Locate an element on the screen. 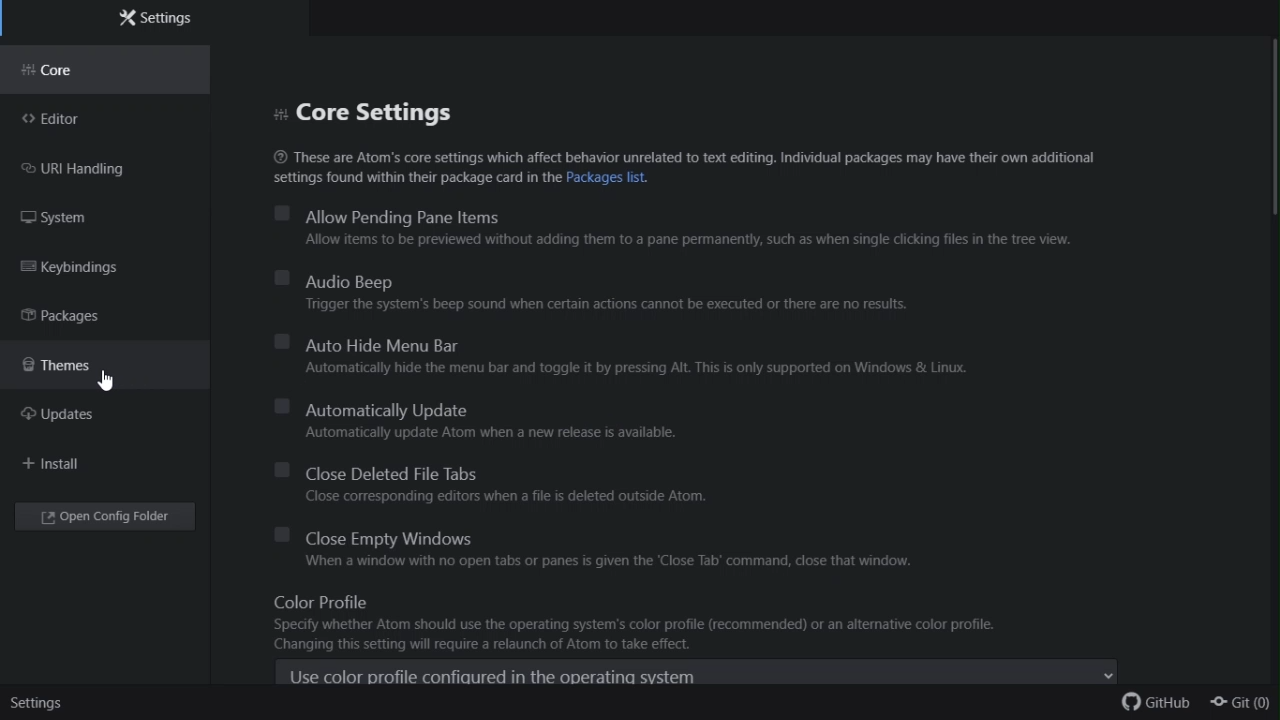 This screenshot has width=1280, height=720. Automatically hate the menu bar and toggle it by pressing Alt. This is only supported it Windows & Linus is located at coordinates (639, 368).